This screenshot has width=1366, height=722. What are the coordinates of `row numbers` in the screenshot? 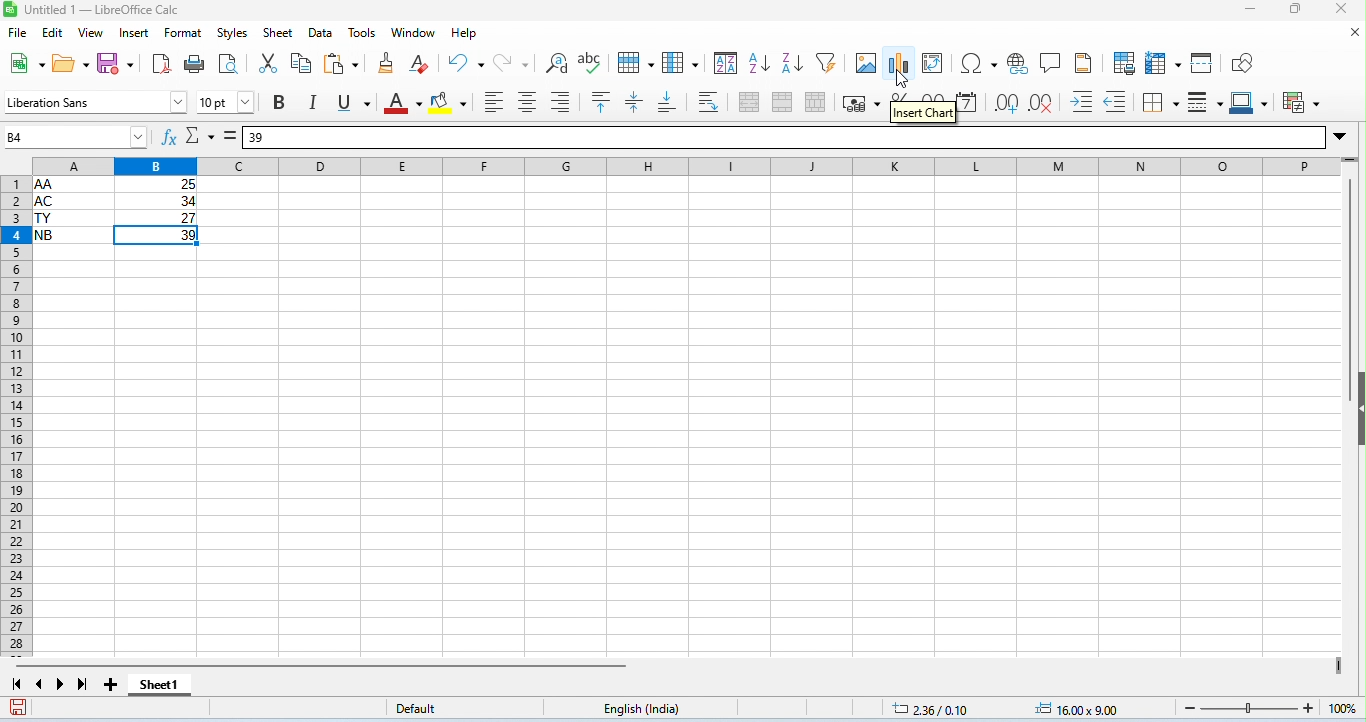 It's located at (18, 415).